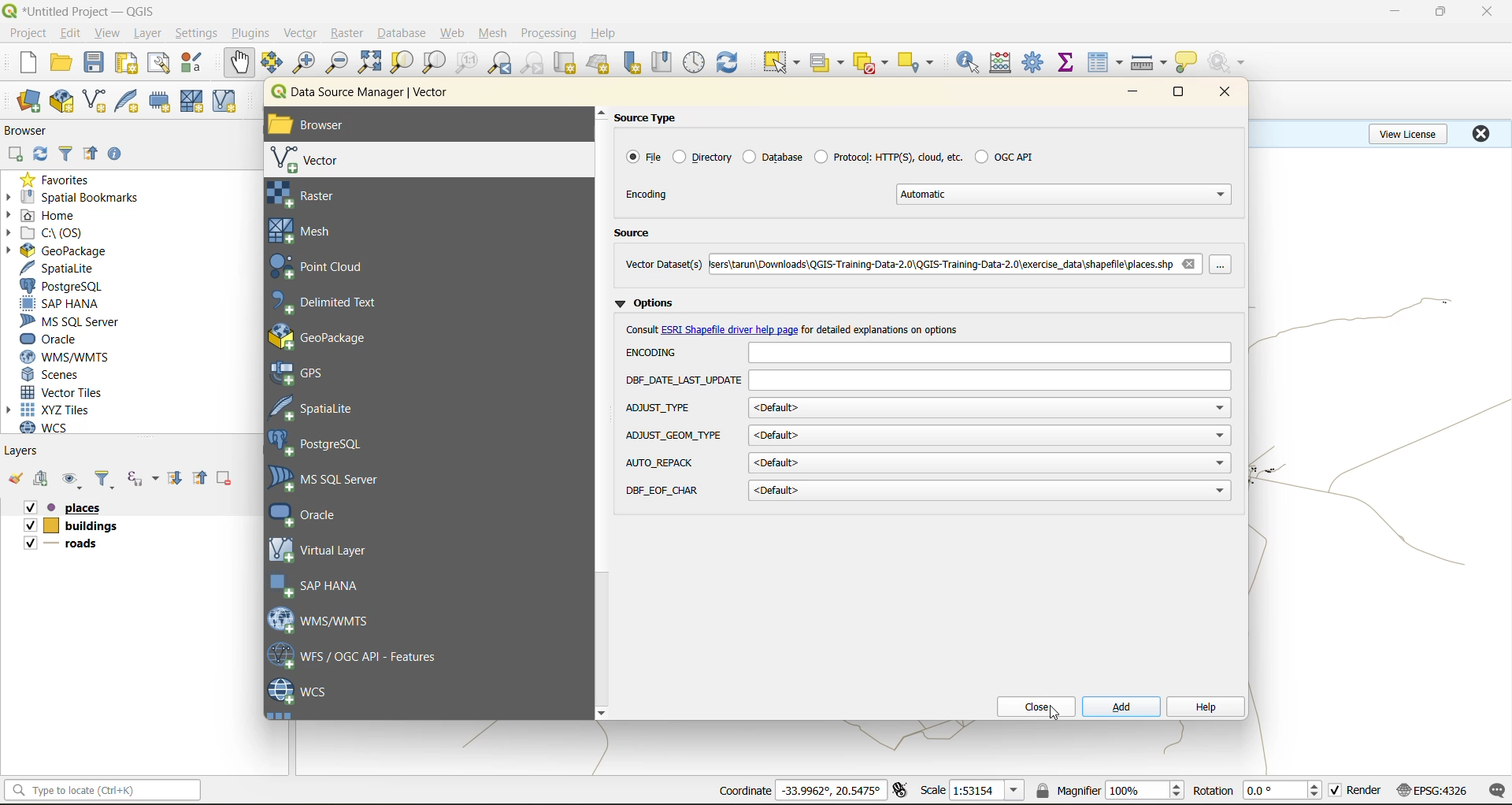 The image size is (1512, 805). What do you see at coordinates (75, 546) in the screenshot?
I see `shape file added` at bounding box center [75, 546].